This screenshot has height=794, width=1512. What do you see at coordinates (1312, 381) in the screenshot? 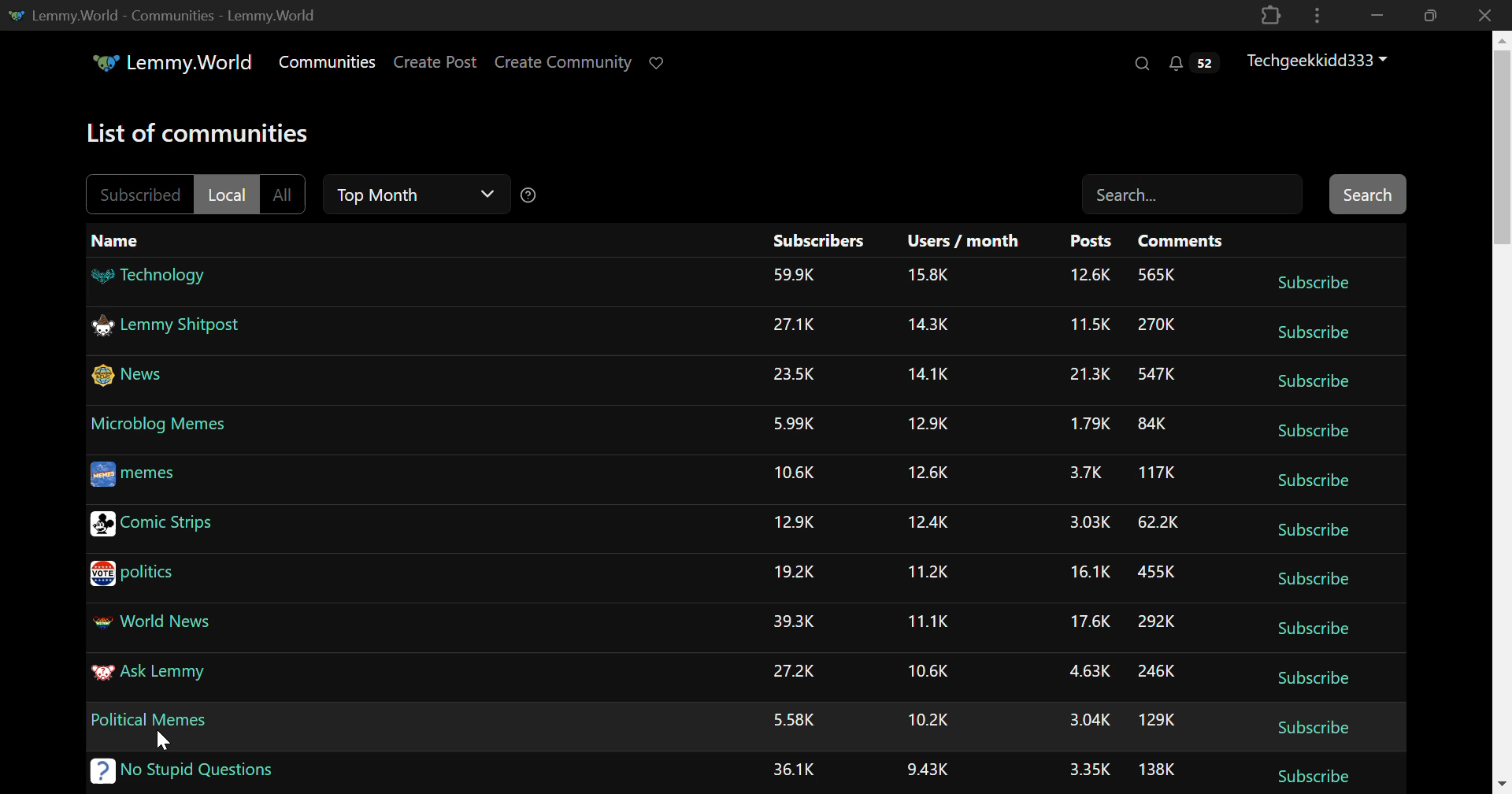
I see `Subscribe` at bounding box center [1312, 381].